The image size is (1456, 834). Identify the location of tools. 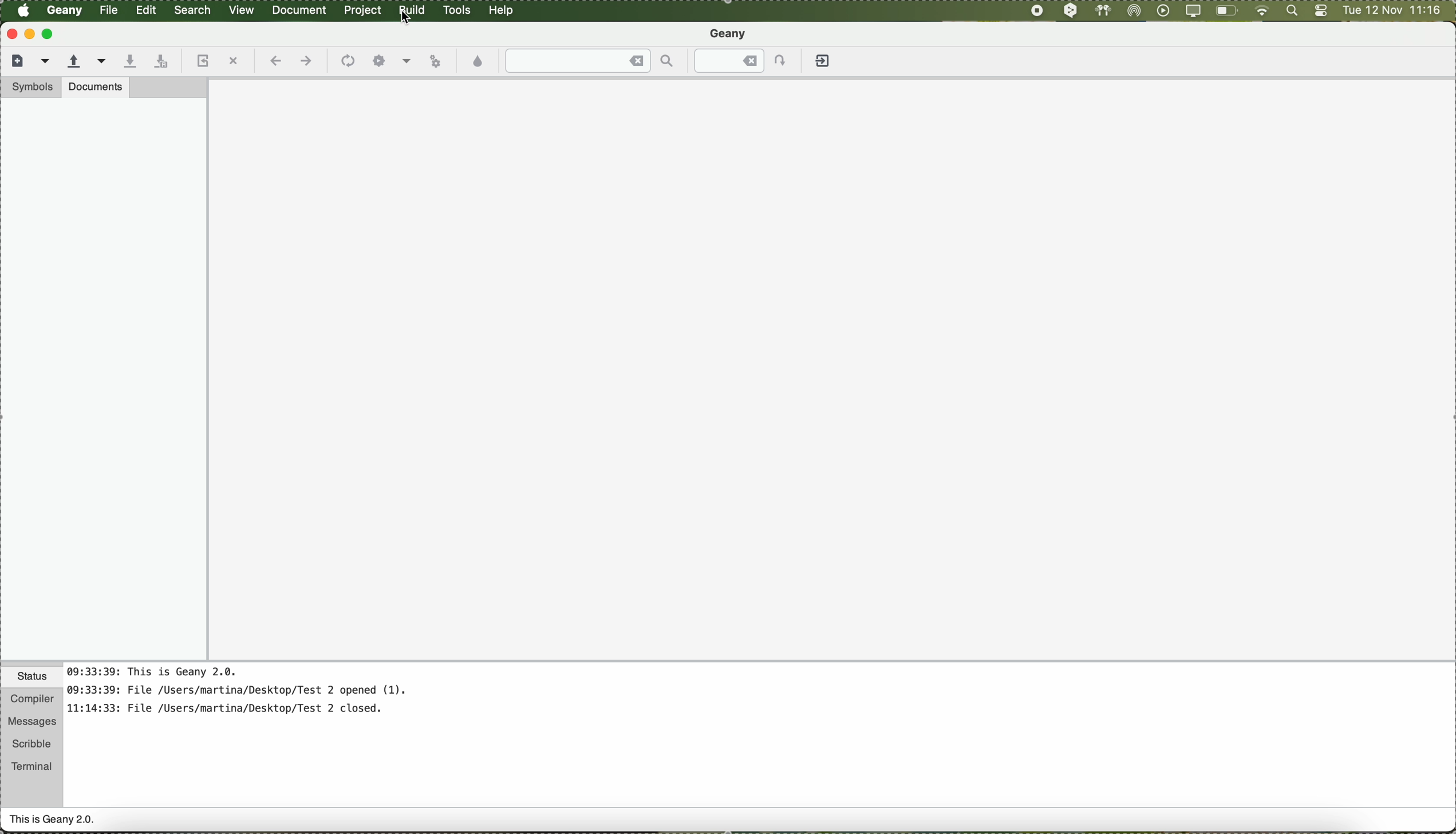
(457, 10).